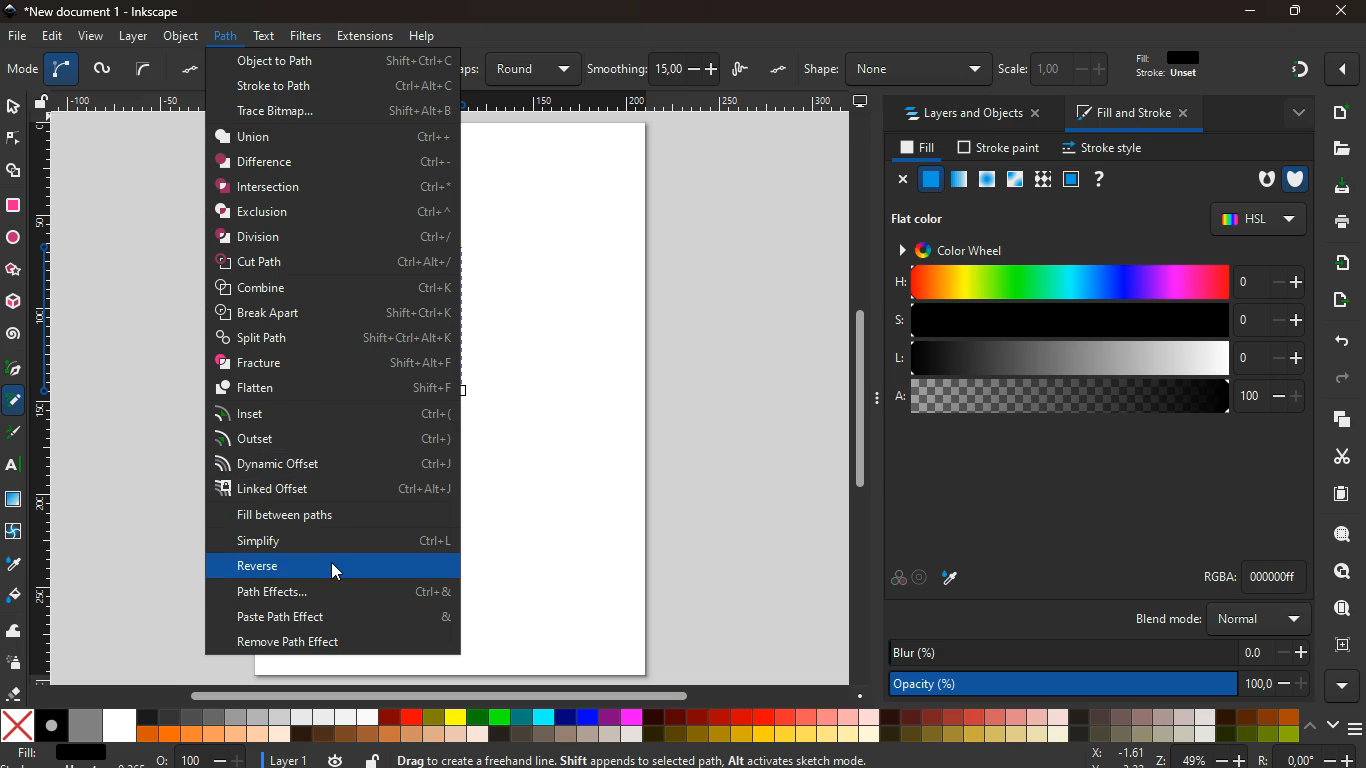 The height and width of the screenshot is (768, 1366). Describe the element at coordinates (1338, 221) in the screenshot. I see `print` at that location.